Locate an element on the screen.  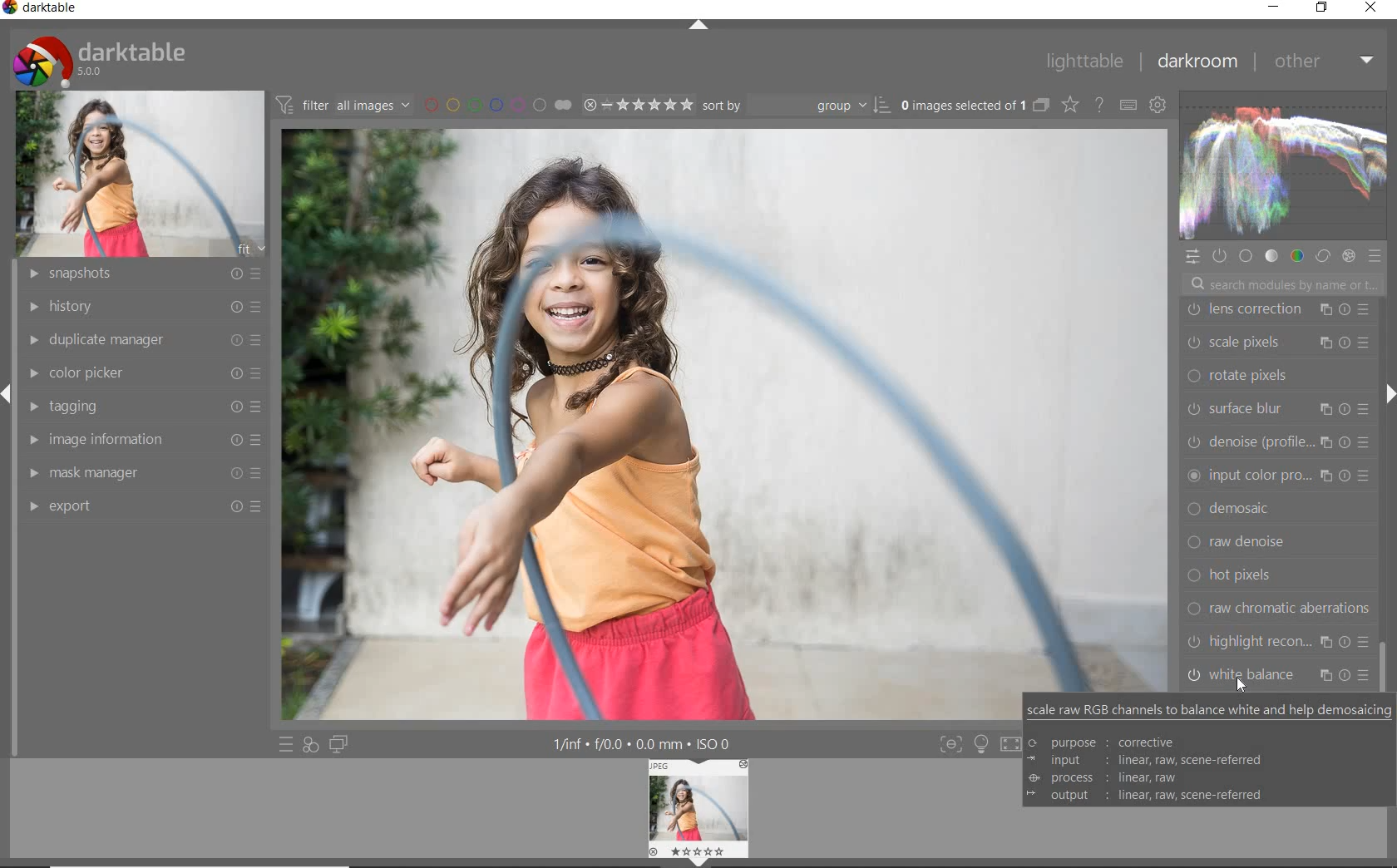
tone is located at coordinates (1271, 255).